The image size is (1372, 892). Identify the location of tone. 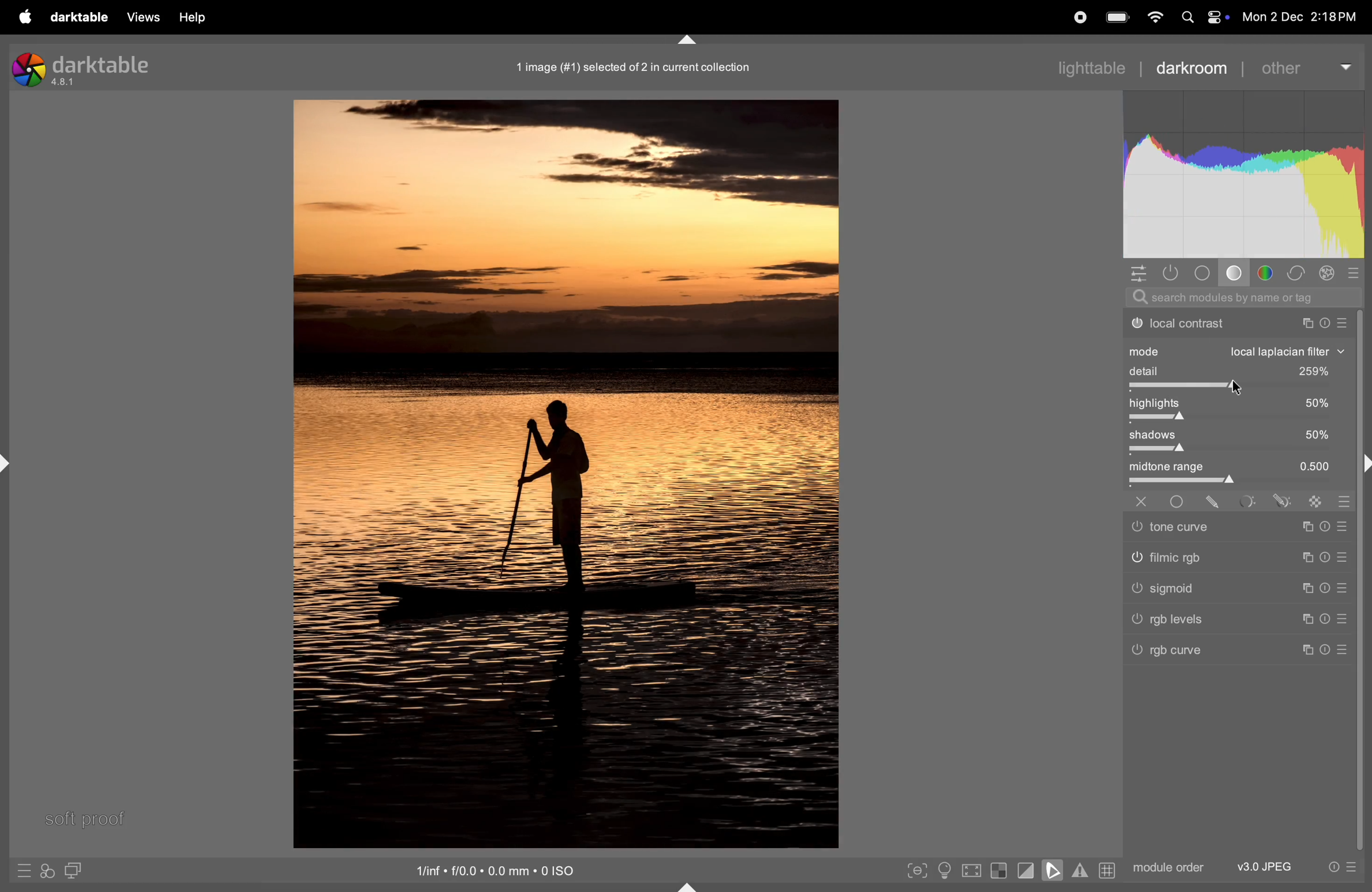
(1234, 273).